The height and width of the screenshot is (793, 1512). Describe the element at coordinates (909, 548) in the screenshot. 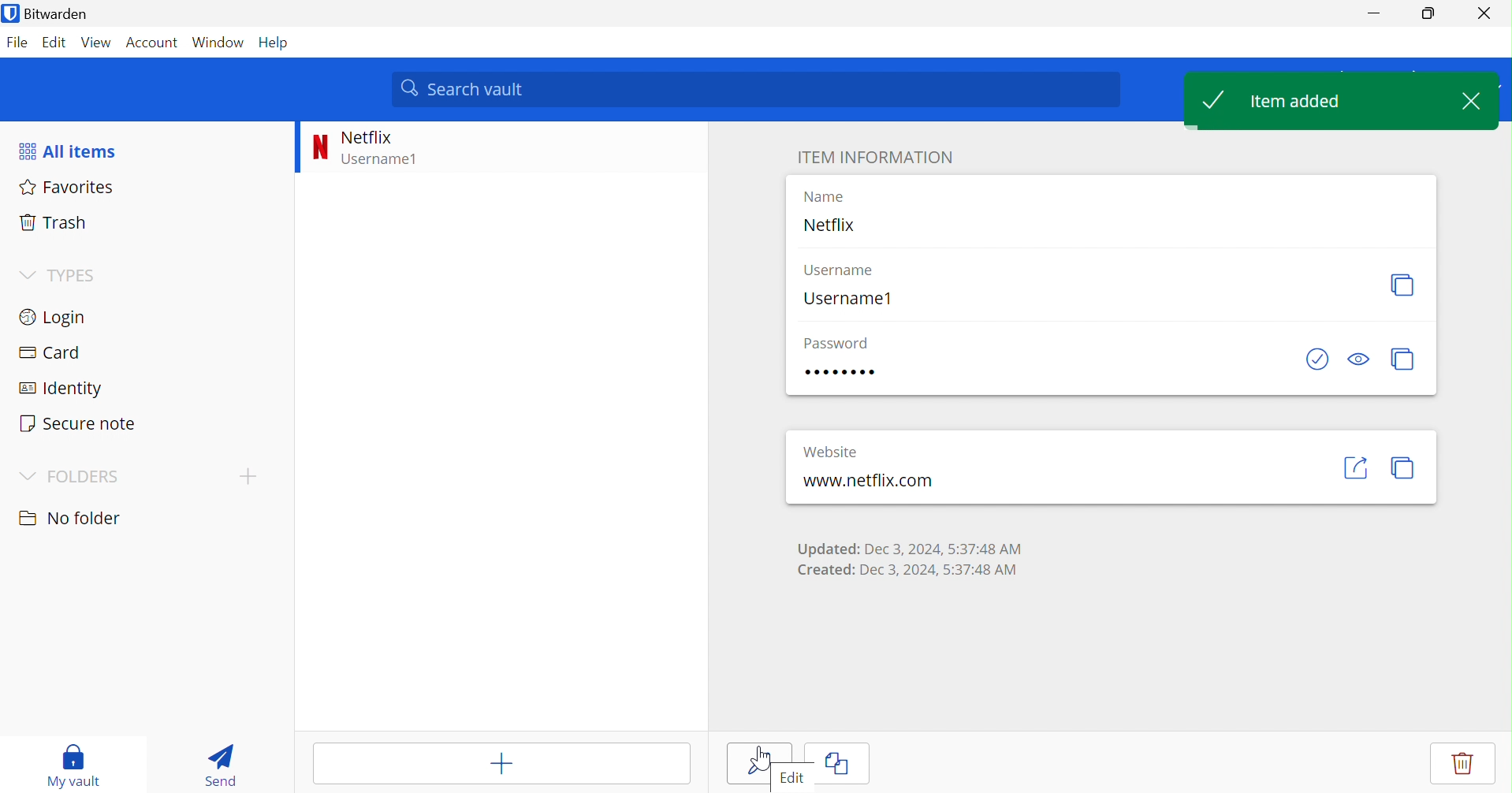

I see `Updated: Dec 3, 2024, 5:37:48 AM` at that location.